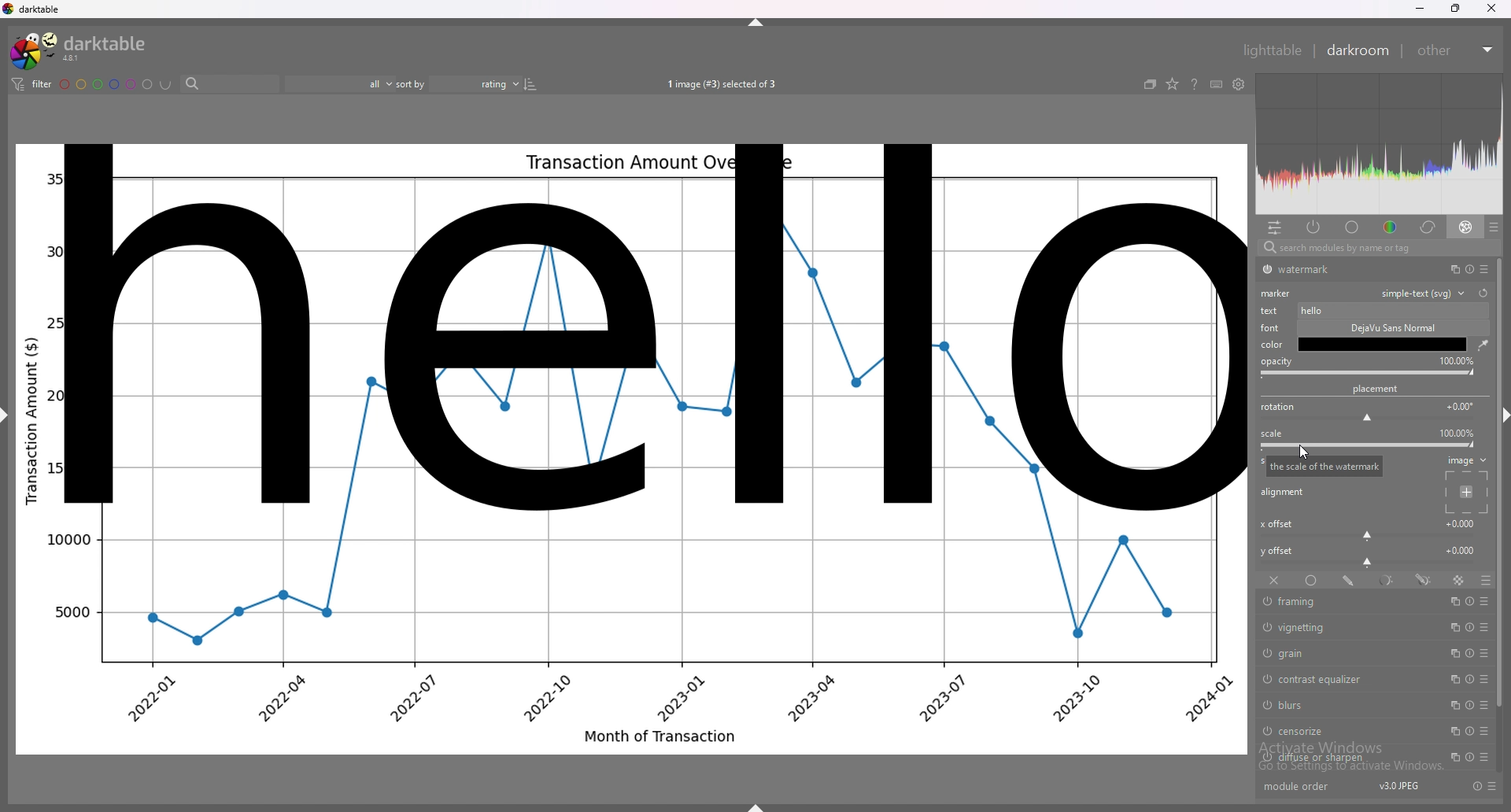  What do you see at coordinates (106, 83) in the screenshot?
I see `color labels` at bounding box center [106, 83].